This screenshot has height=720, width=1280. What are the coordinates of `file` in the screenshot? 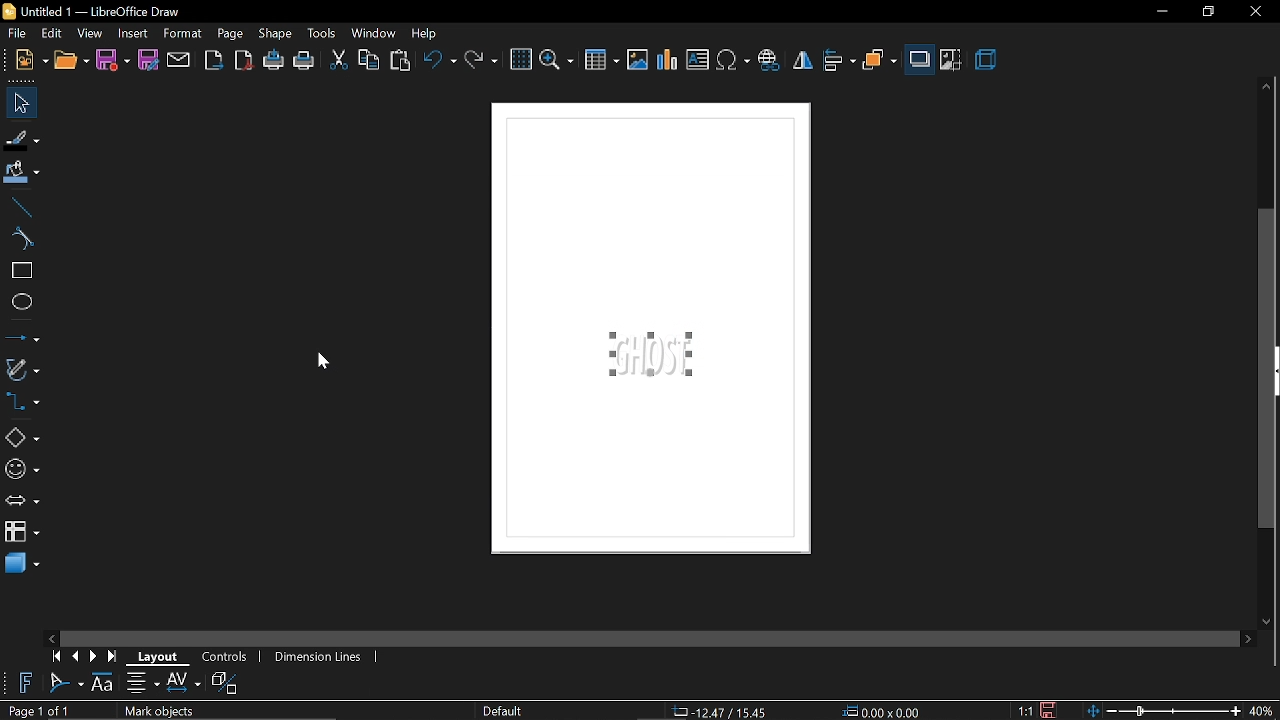 It's located at (19, 34).